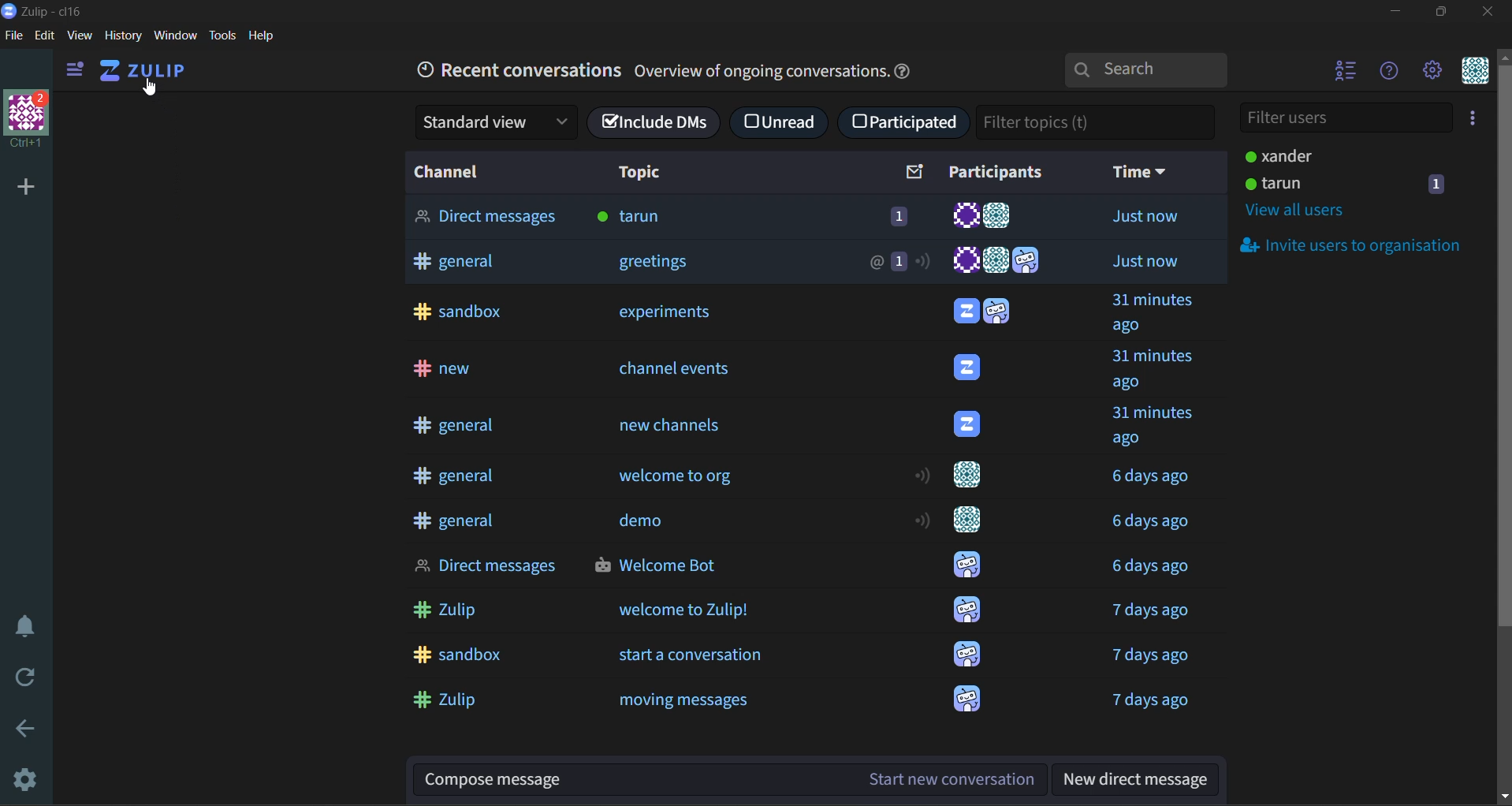 The height and width of the screenshot is (806, 1512). Describe the element at coordinates (23, 186) in the screenshot. I see `add a new organisation` at that location.